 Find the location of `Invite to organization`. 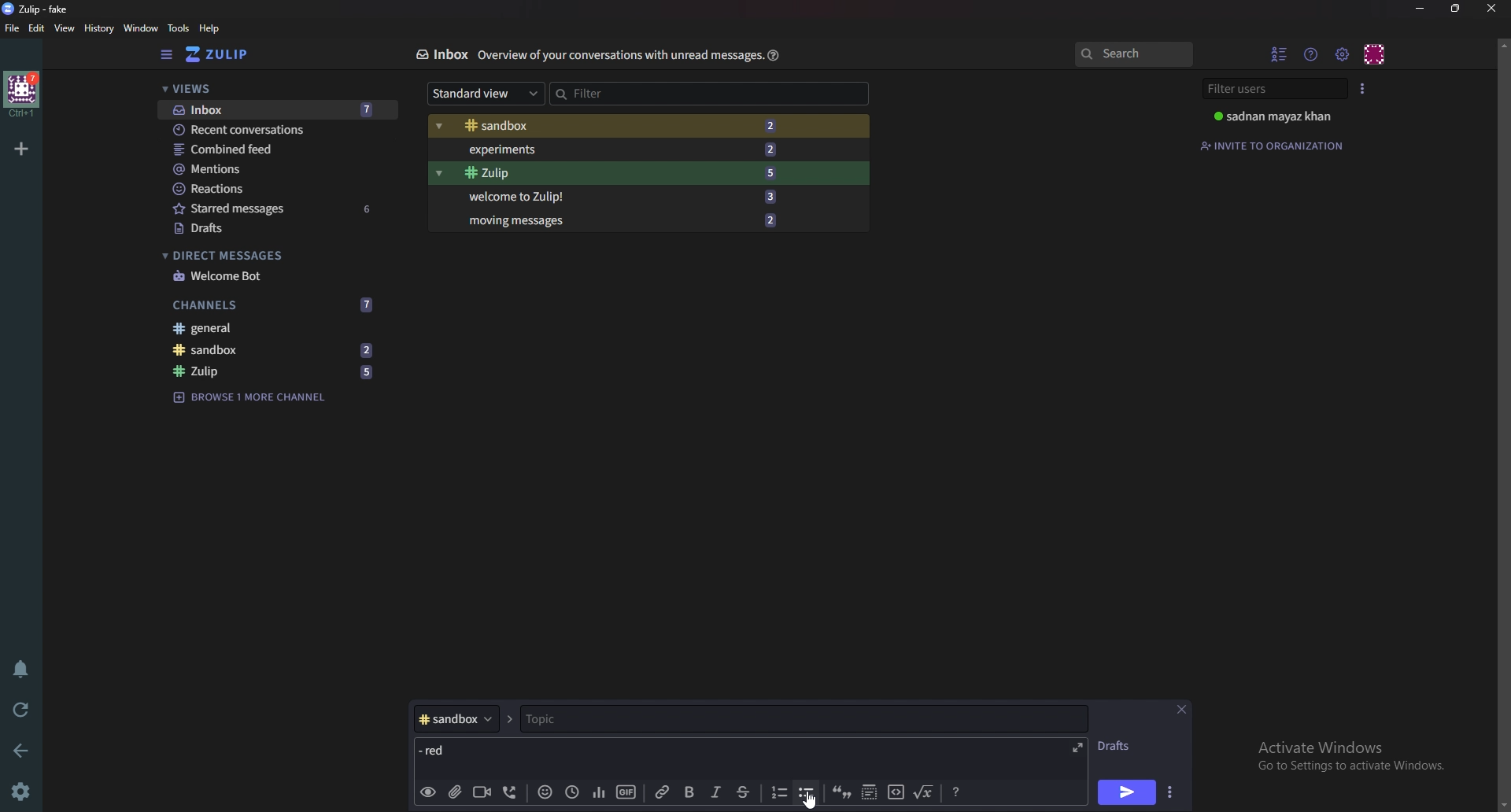

Invite to organization is located at coordinates (1274, 146).